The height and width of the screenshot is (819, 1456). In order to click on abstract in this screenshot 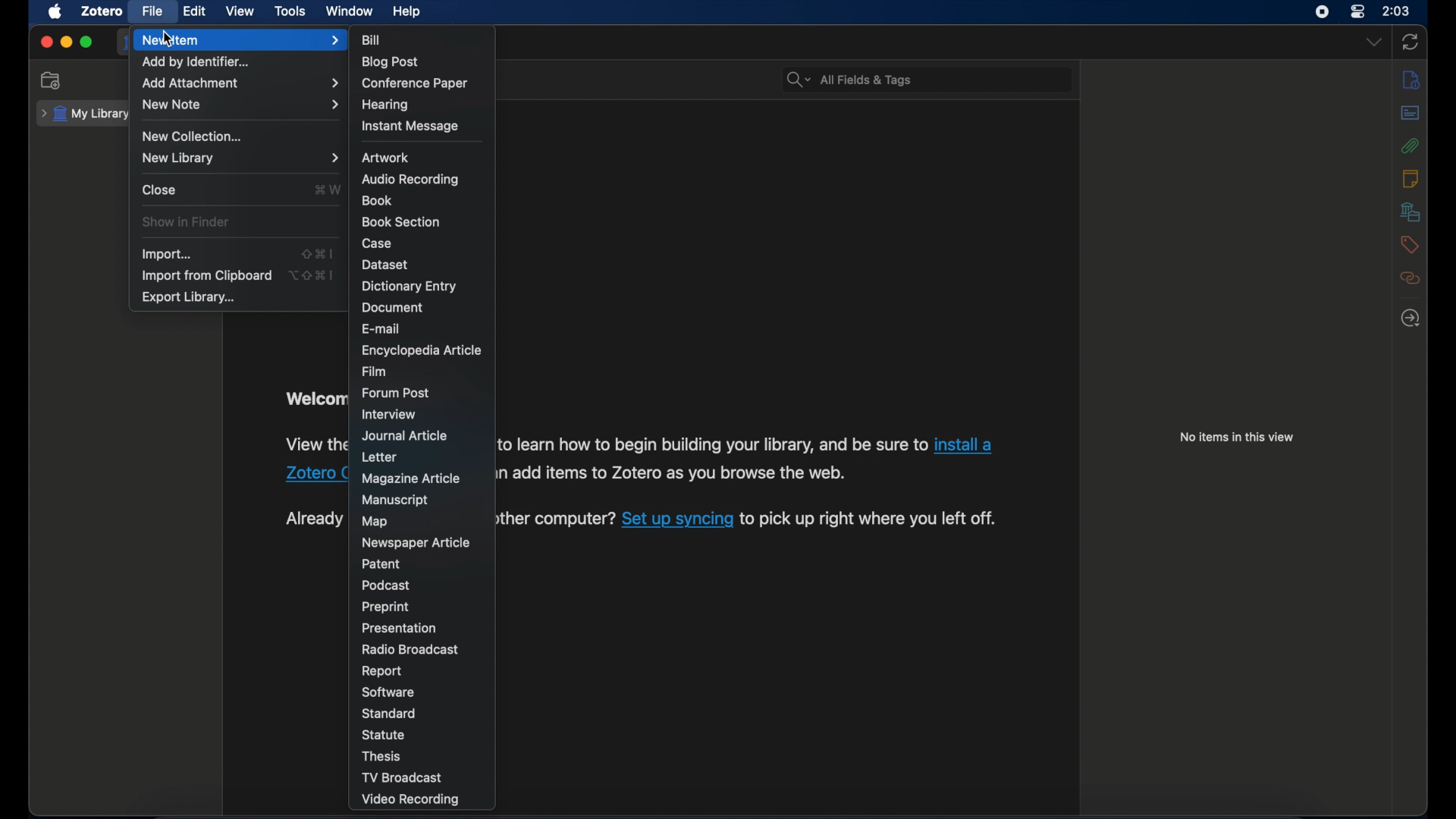, I will do `click(1410, 113)`.